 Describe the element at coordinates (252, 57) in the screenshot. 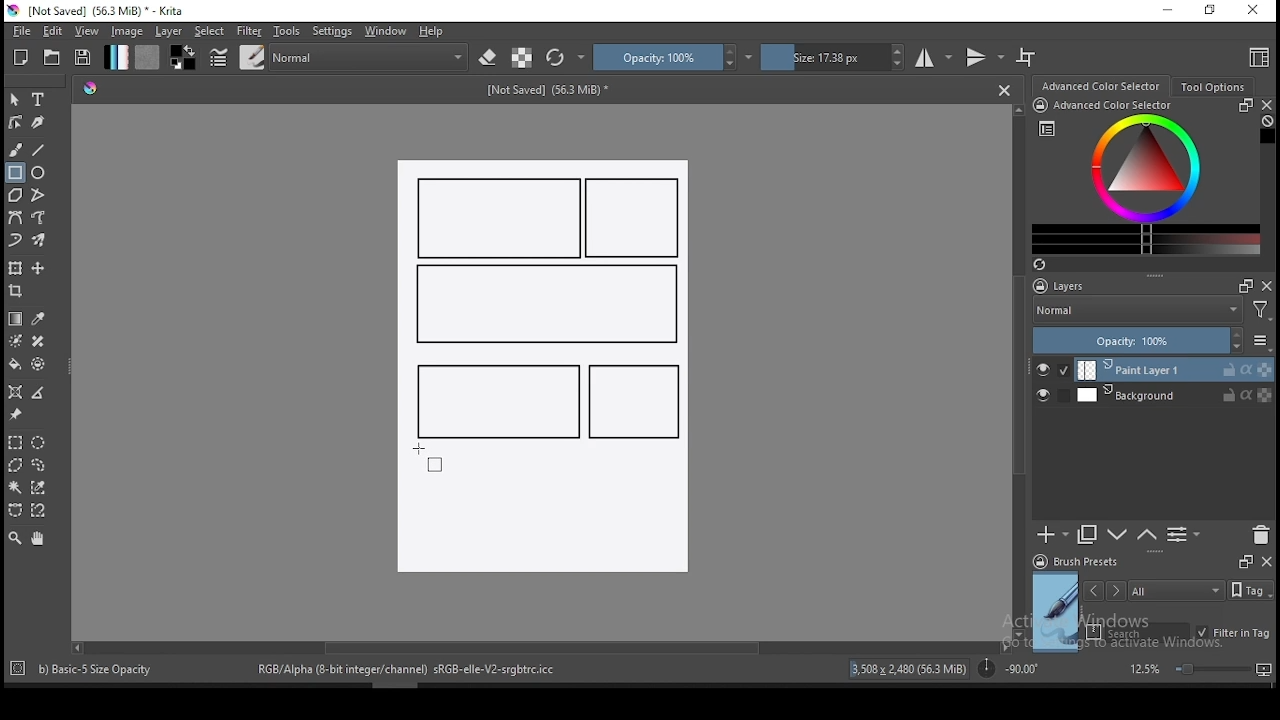

I see `brushes` at that location.